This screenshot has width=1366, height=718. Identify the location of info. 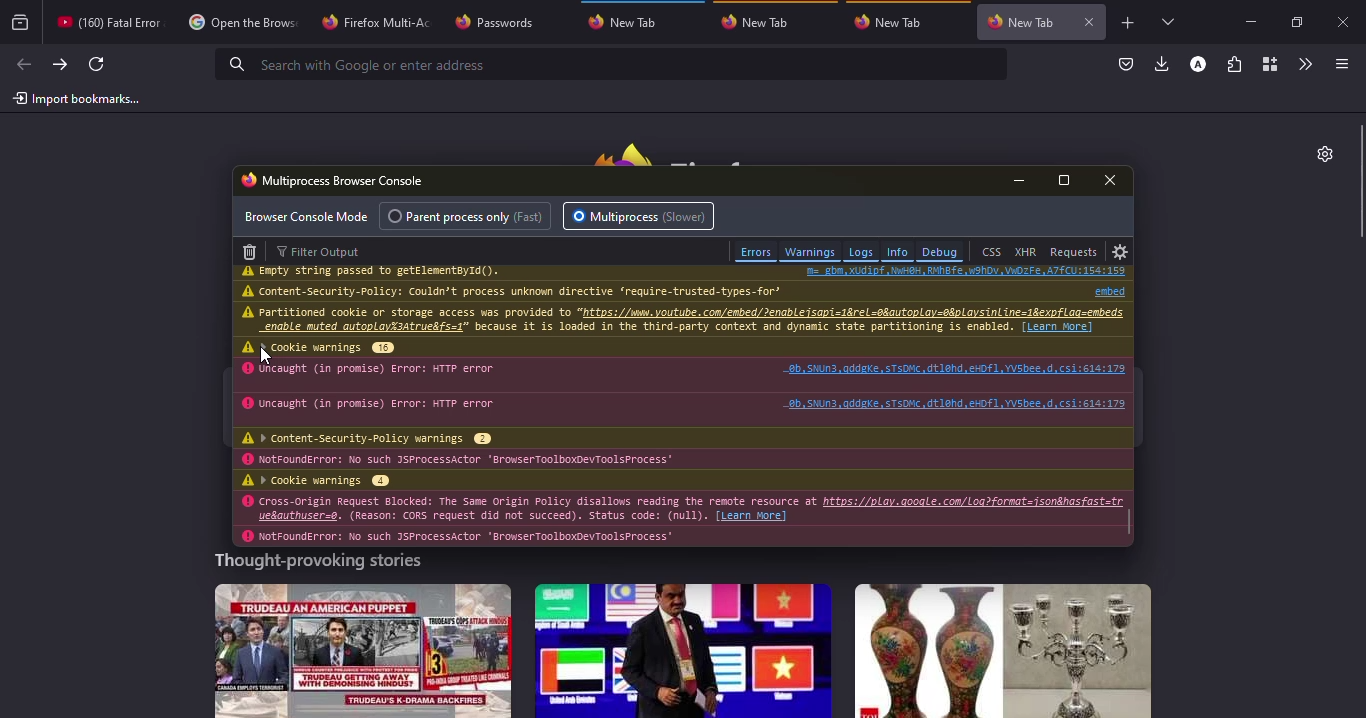
(525, 291).